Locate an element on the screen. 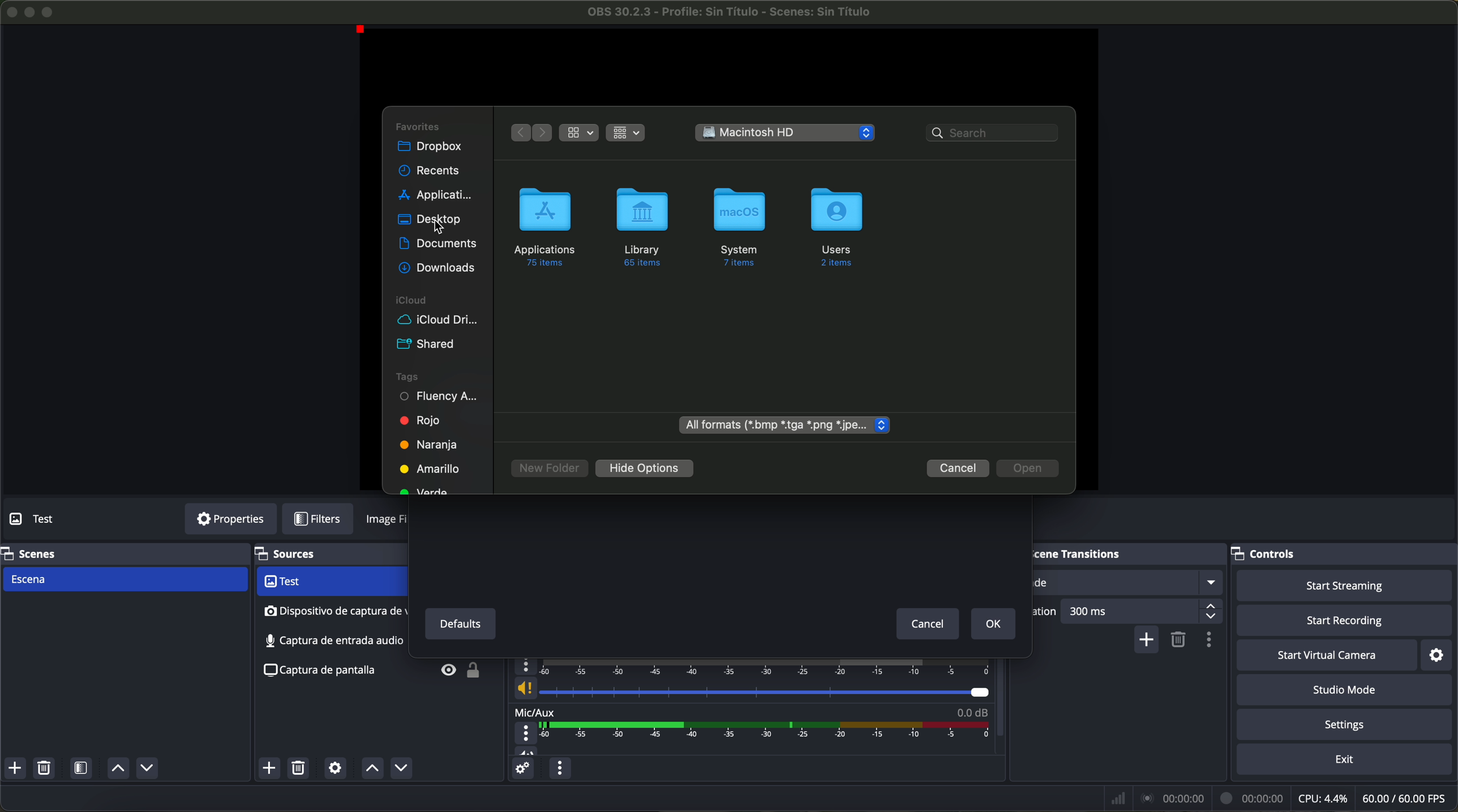 Image resolution: width=1458 pixels, height=812 pixels. controls is located at coordinates (1274, 551).